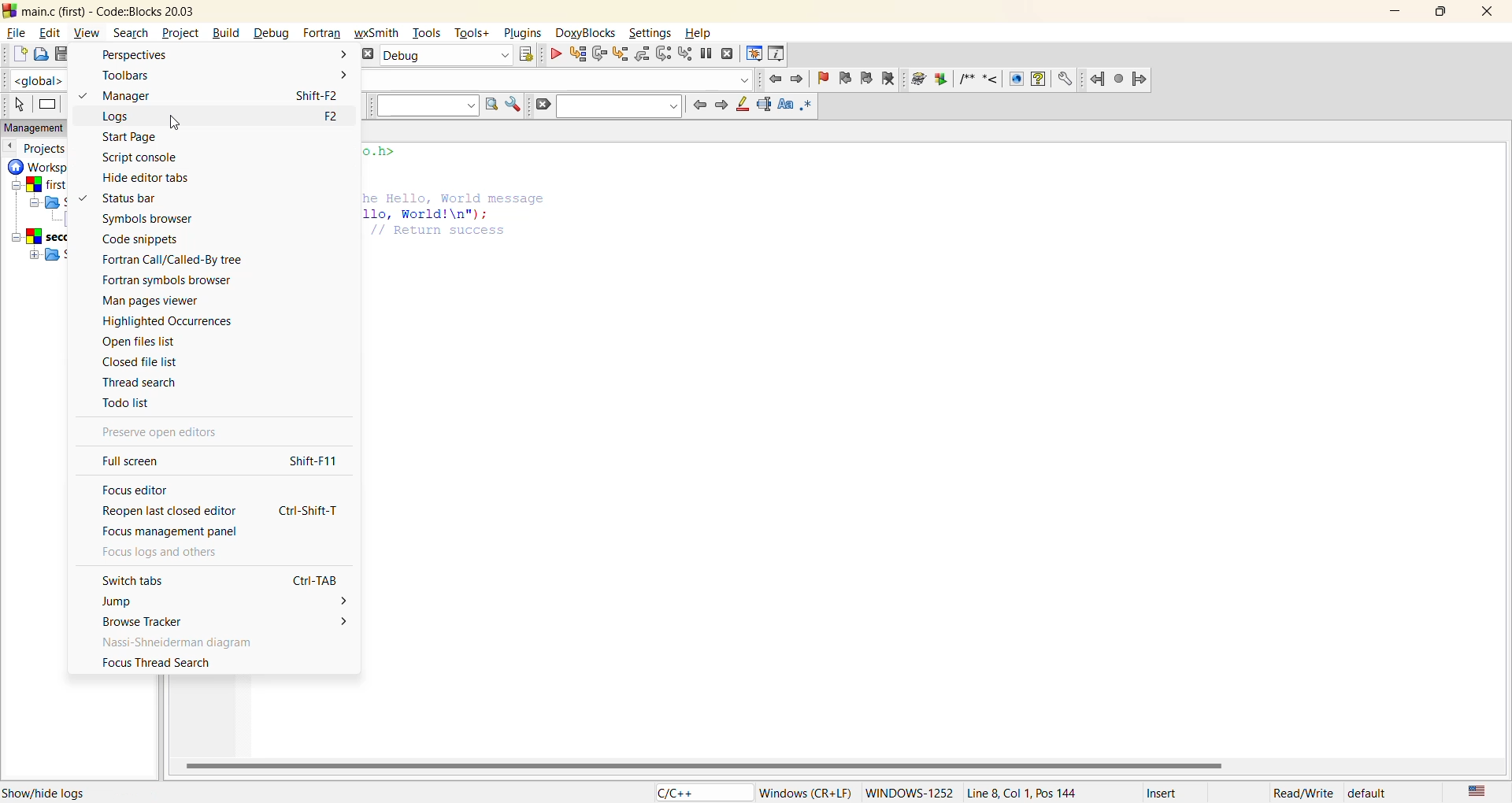 Image resolution: width=1512 pixels, height=803 pixels. What do you see at coordinates (59, 54) in the screenshot?
I see `save` at bounding box center [59, 54].